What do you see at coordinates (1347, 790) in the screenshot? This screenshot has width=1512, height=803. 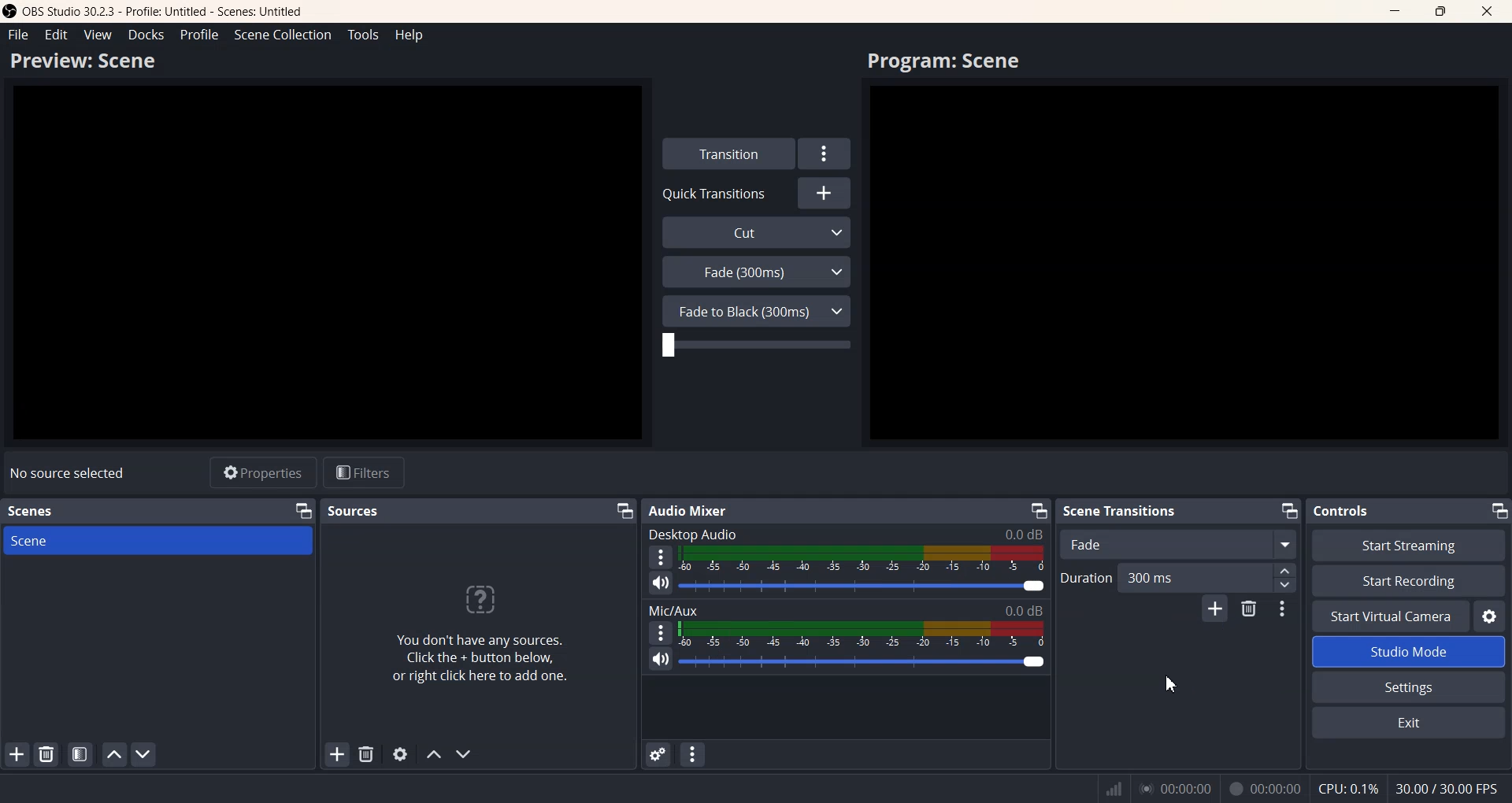 I see `CPU: 0.1%` at bounding box center [1347, 790].